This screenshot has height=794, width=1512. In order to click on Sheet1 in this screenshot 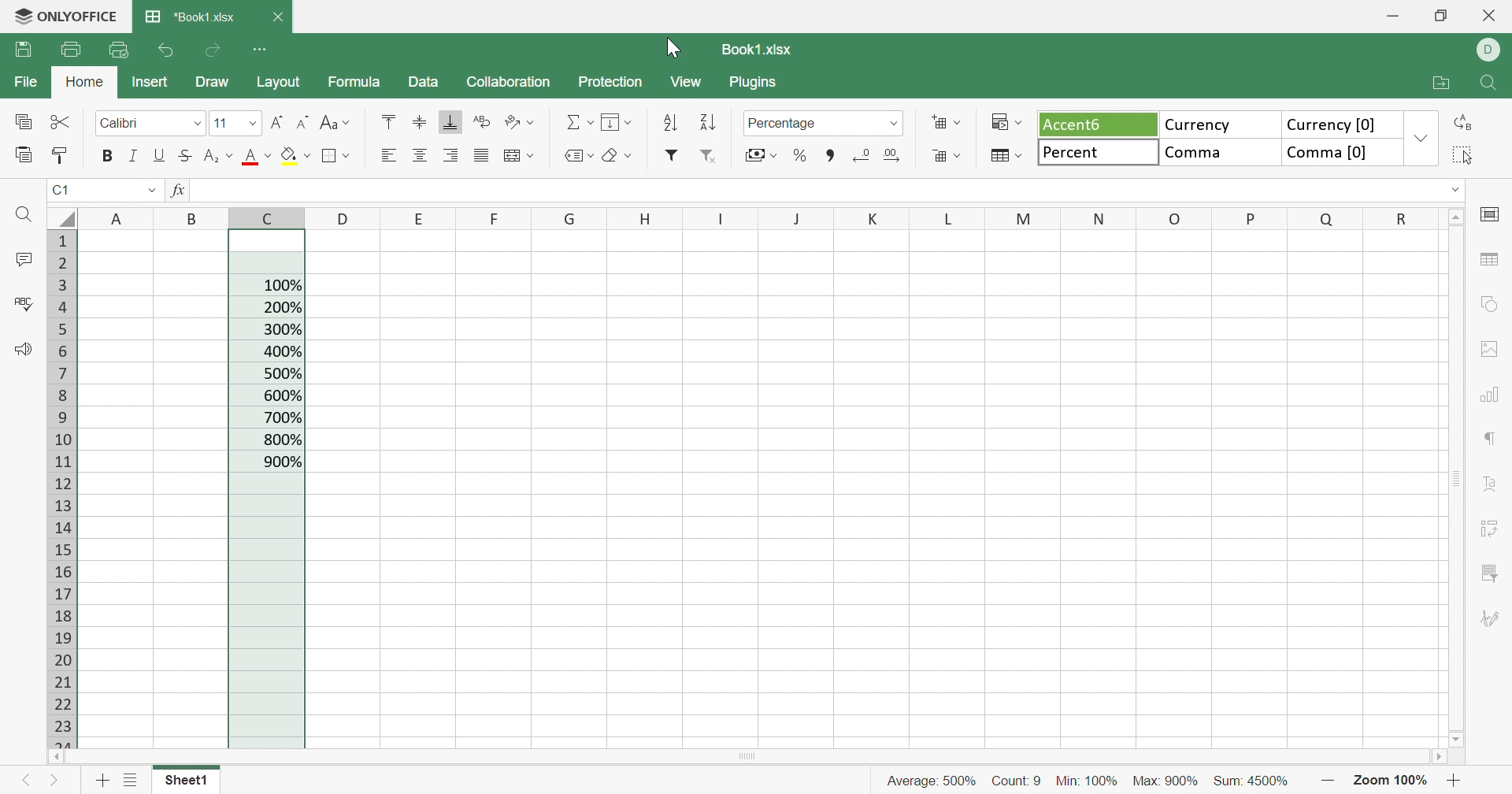, I will do `click(183, 780)`.